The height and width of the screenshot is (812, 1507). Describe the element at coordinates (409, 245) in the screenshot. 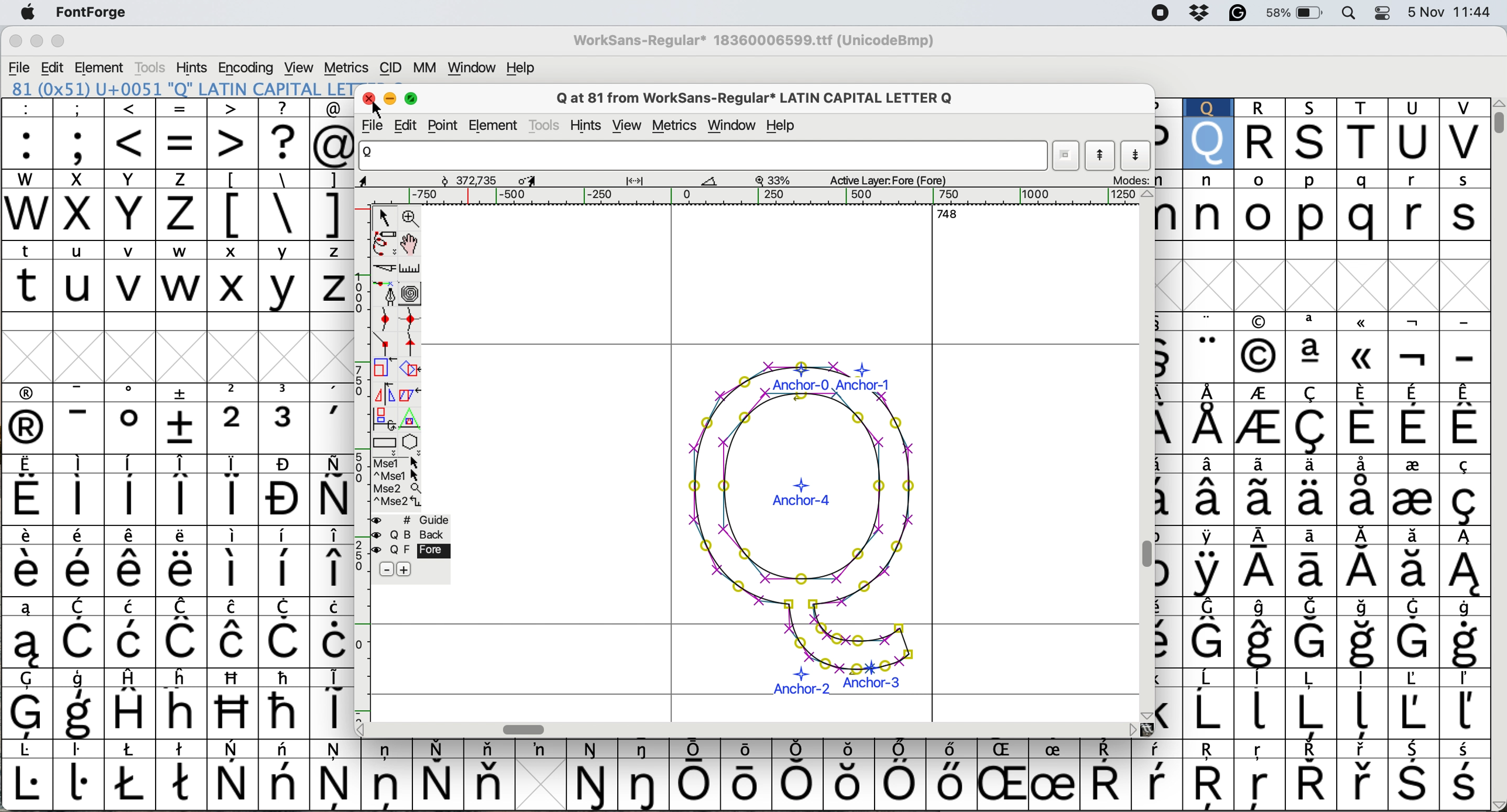

I see `scroll by hand` at that location.